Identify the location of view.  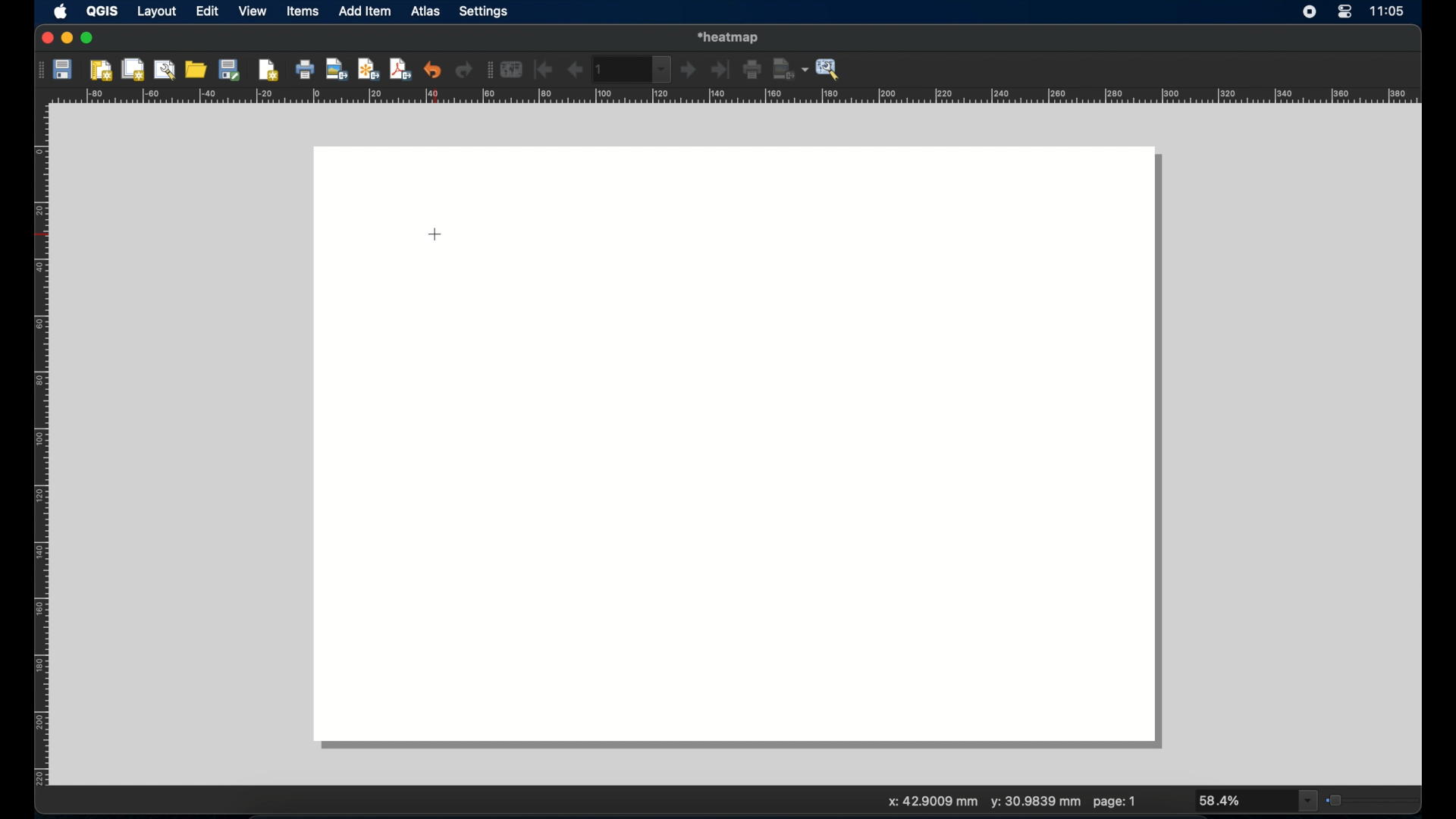
(252, 12).